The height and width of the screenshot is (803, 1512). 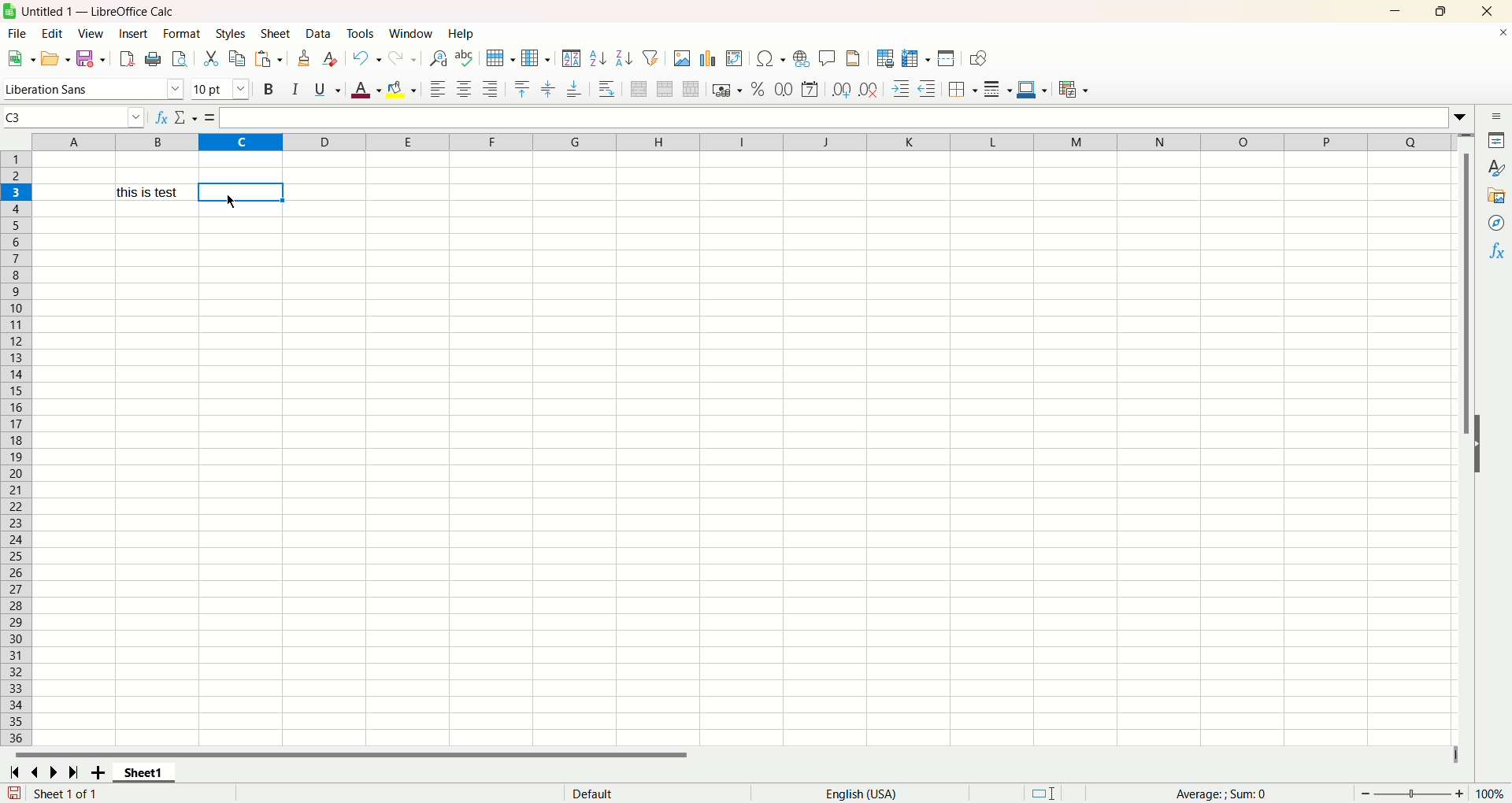 I want to click on merge, so click(x=665, y=89).